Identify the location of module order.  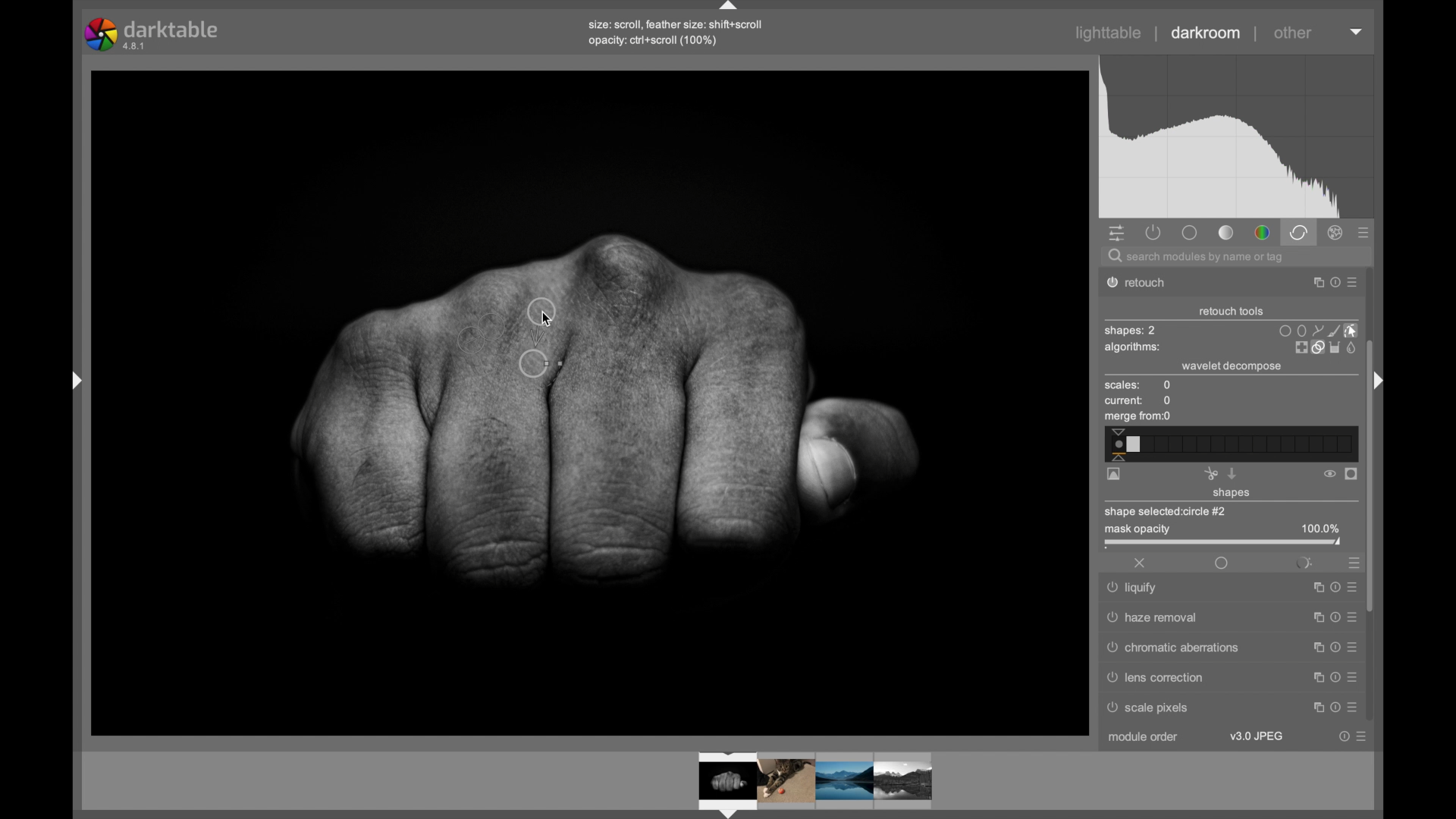
(1144, 739).